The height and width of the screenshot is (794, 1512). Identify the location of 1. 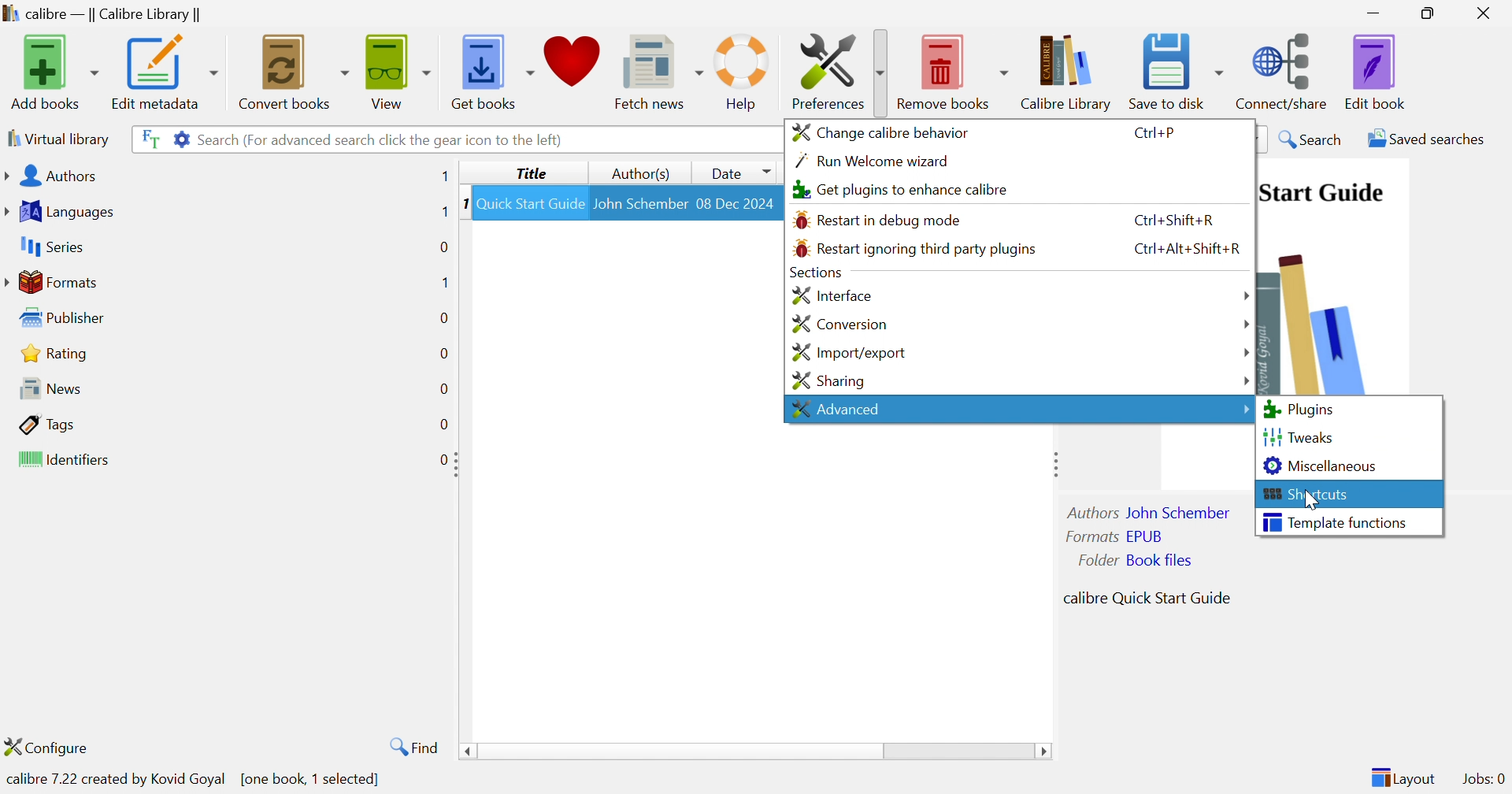
(443, 281).